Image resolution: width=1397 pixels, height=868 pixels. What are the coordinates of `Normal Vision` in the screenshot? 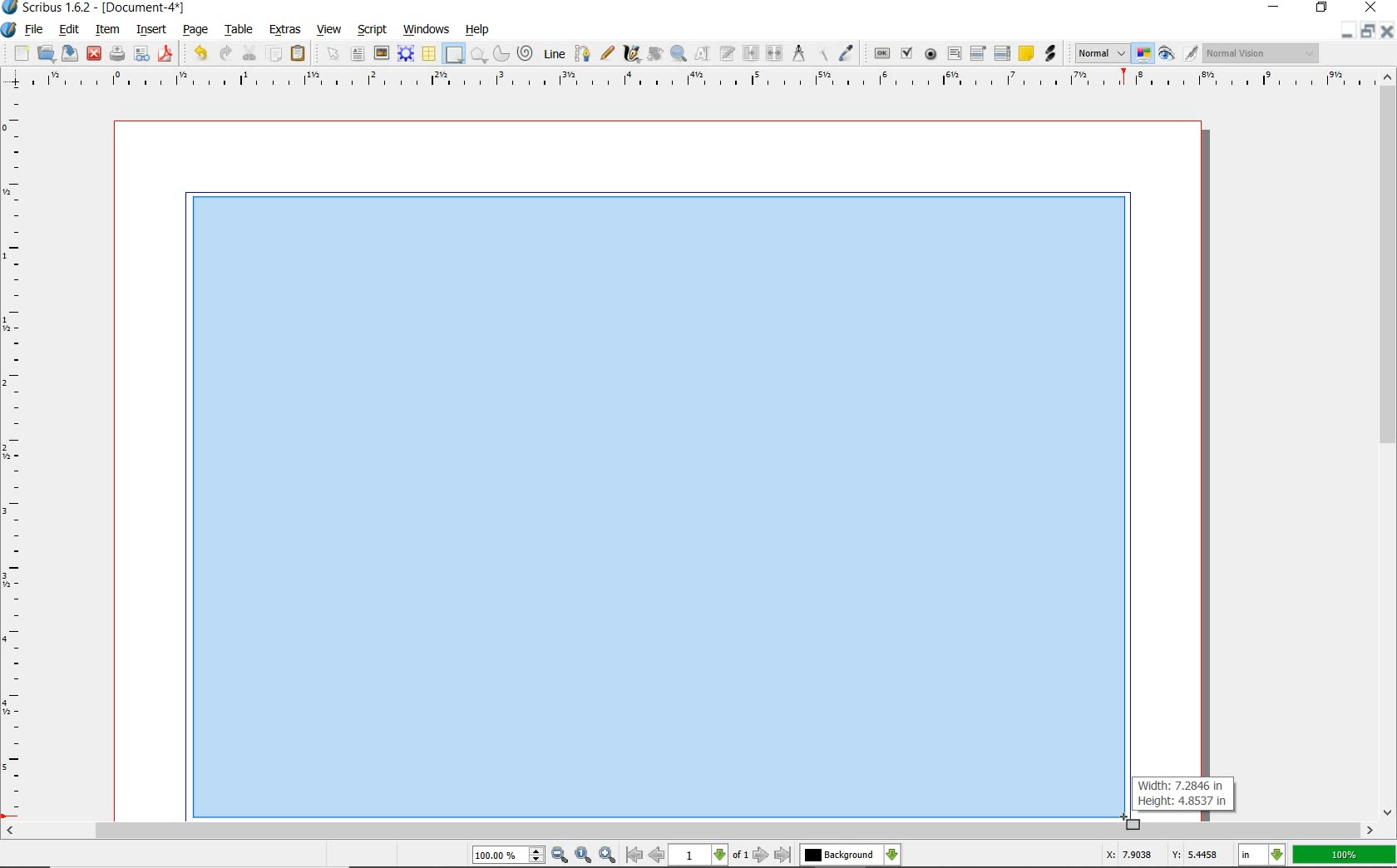 It's located at (1261, 52).